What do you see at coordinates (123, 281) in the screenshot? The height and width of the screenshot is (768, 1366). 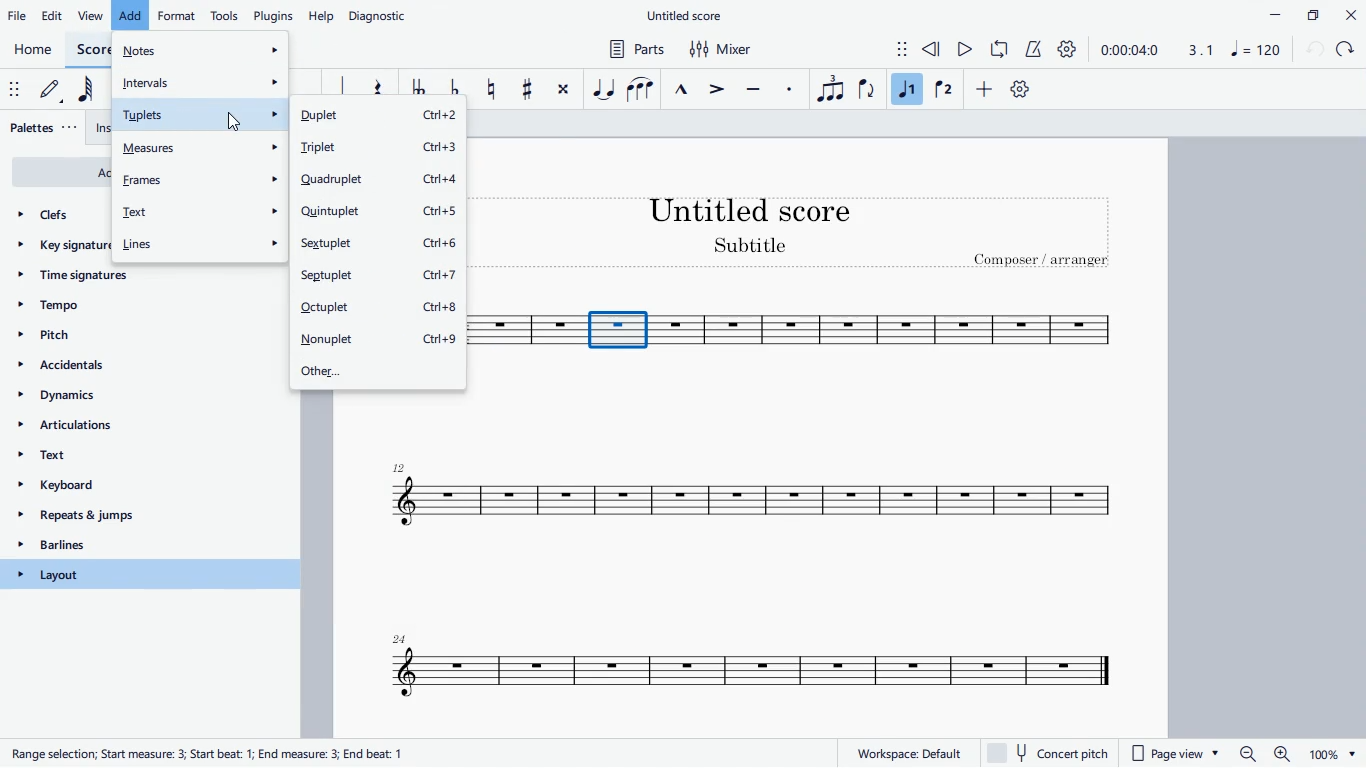 I see `time signatures` at bounding box center [123, 281].